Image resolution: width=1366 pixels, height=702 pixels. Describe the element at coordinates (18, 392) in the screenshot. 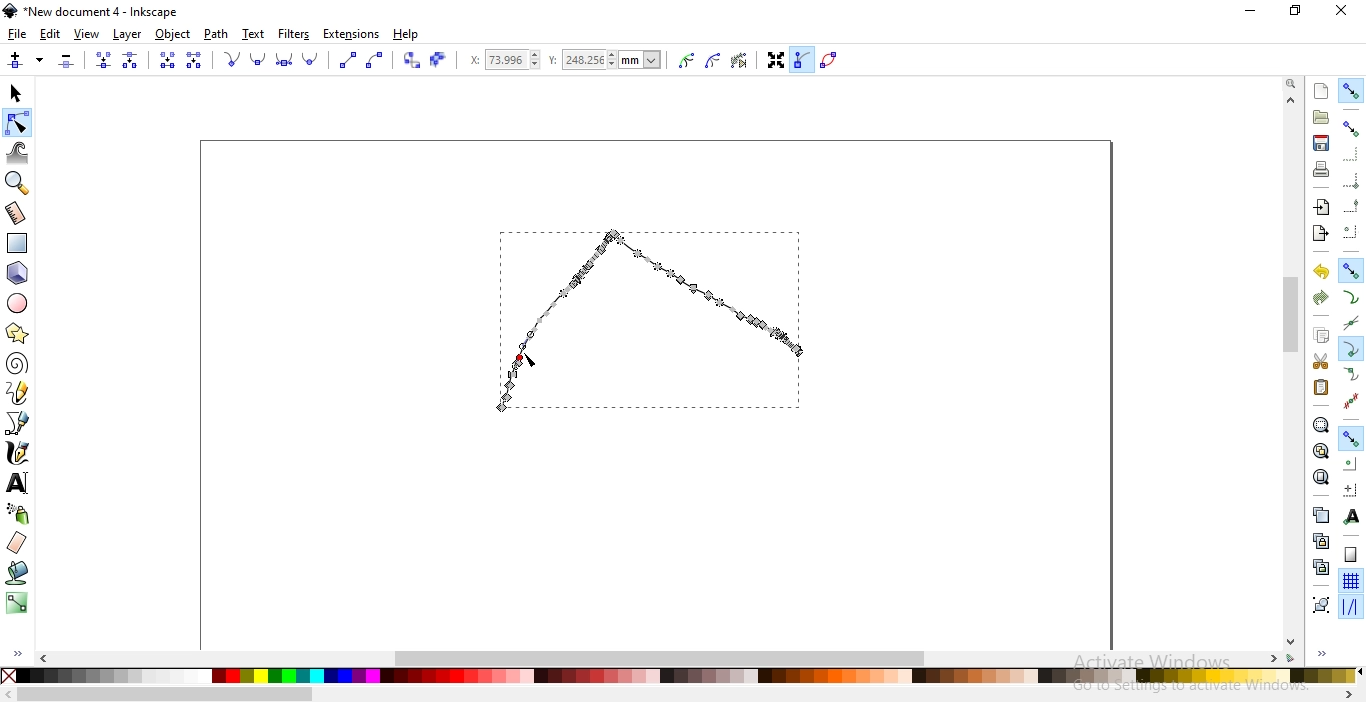

I see `draw freehand lines` at that location.